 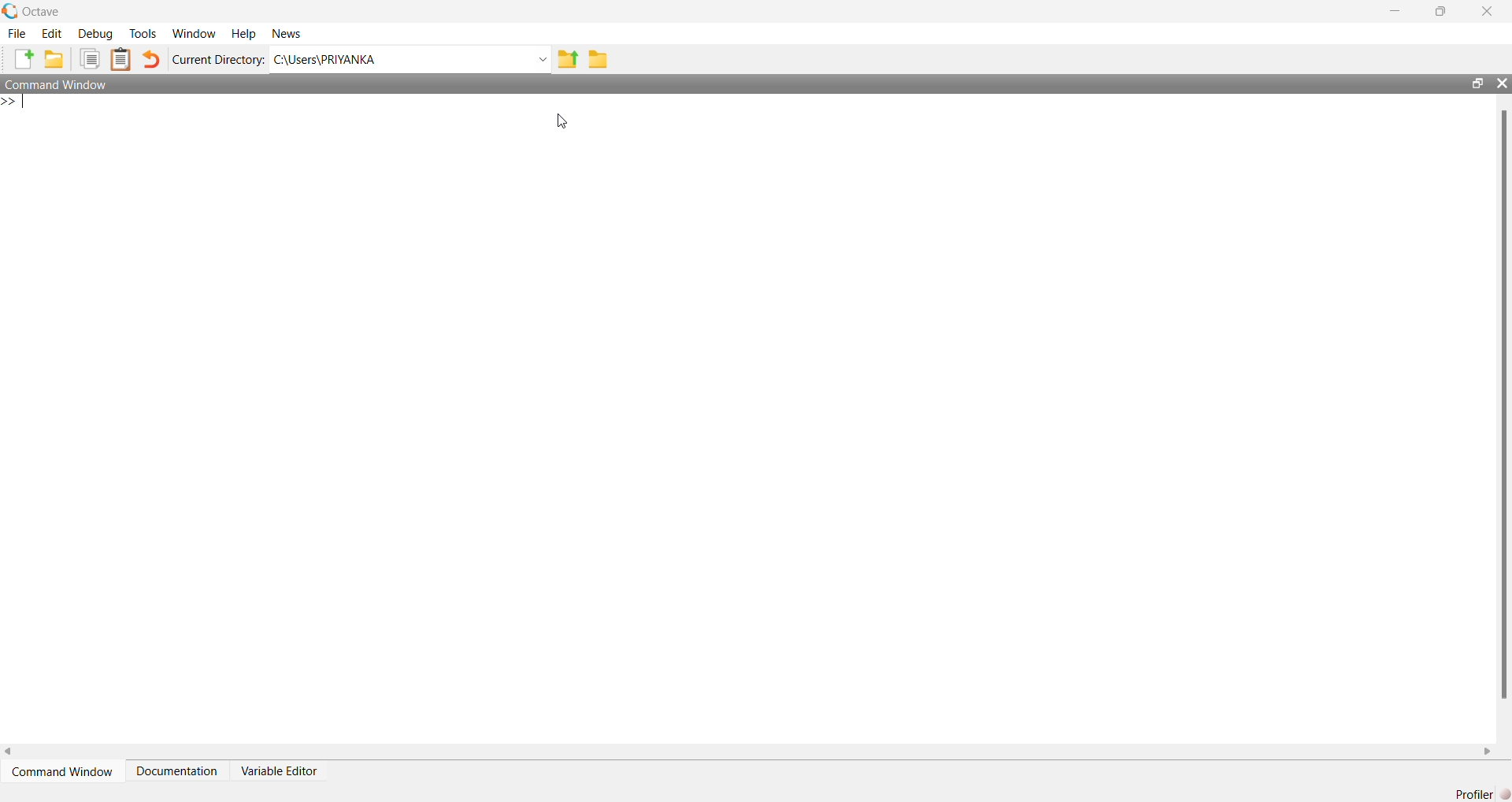 I want to click on file, so click(x=17, y=33).